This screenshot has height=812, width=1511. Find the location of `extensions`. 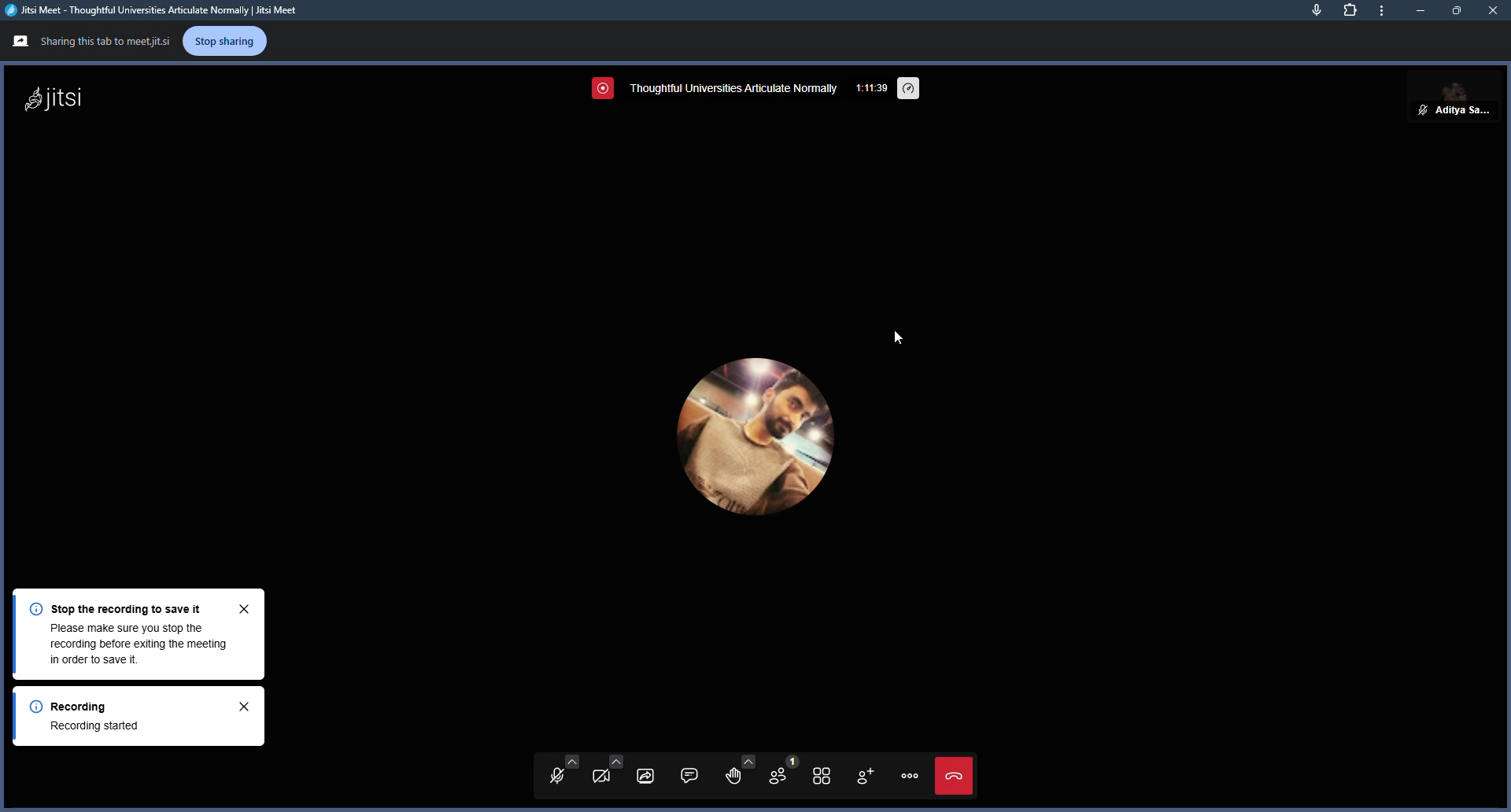

extensions is located at coordinates (1347, 10).